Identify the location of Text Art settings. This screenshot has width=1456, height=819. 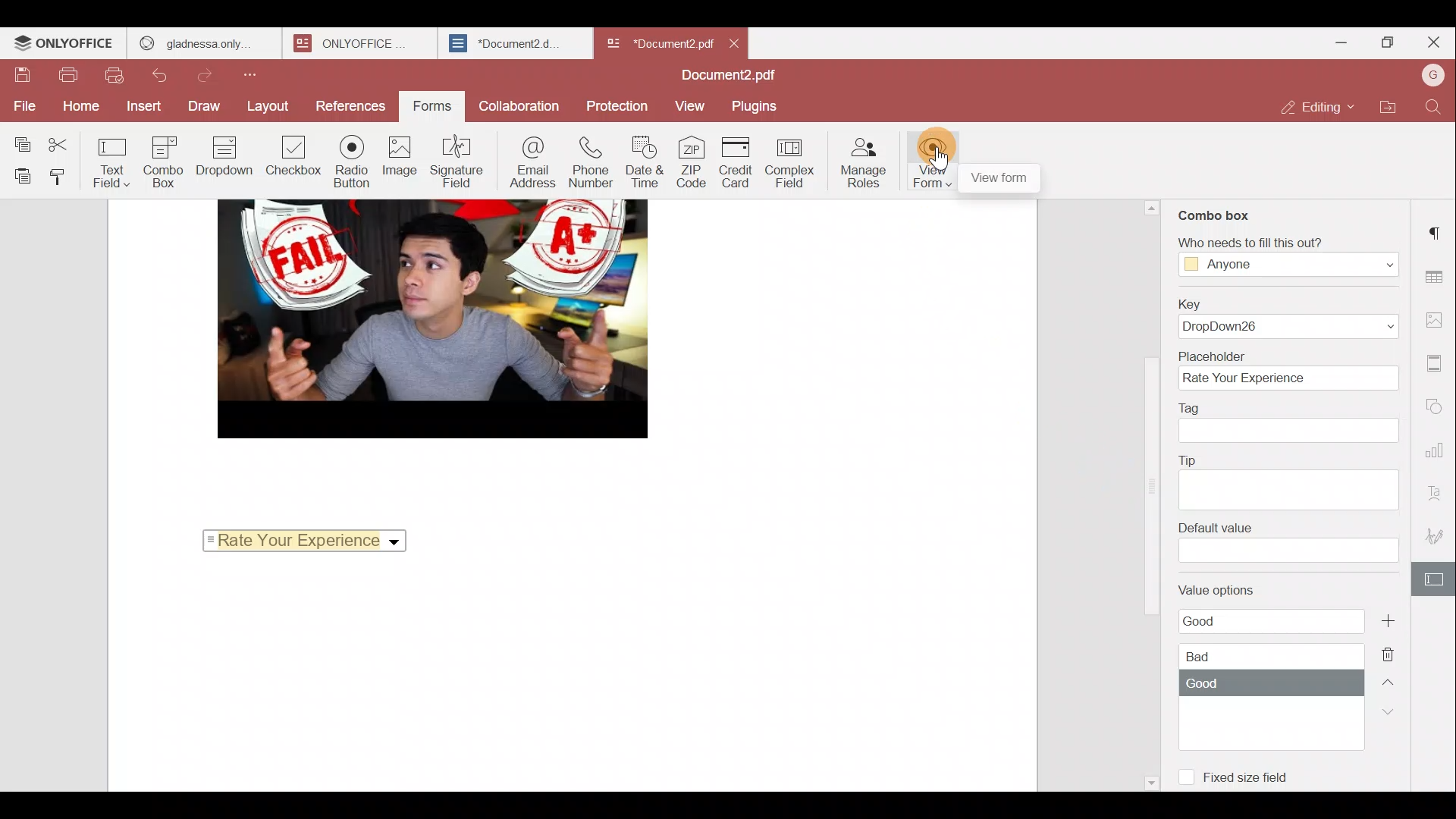
(1438, 491).